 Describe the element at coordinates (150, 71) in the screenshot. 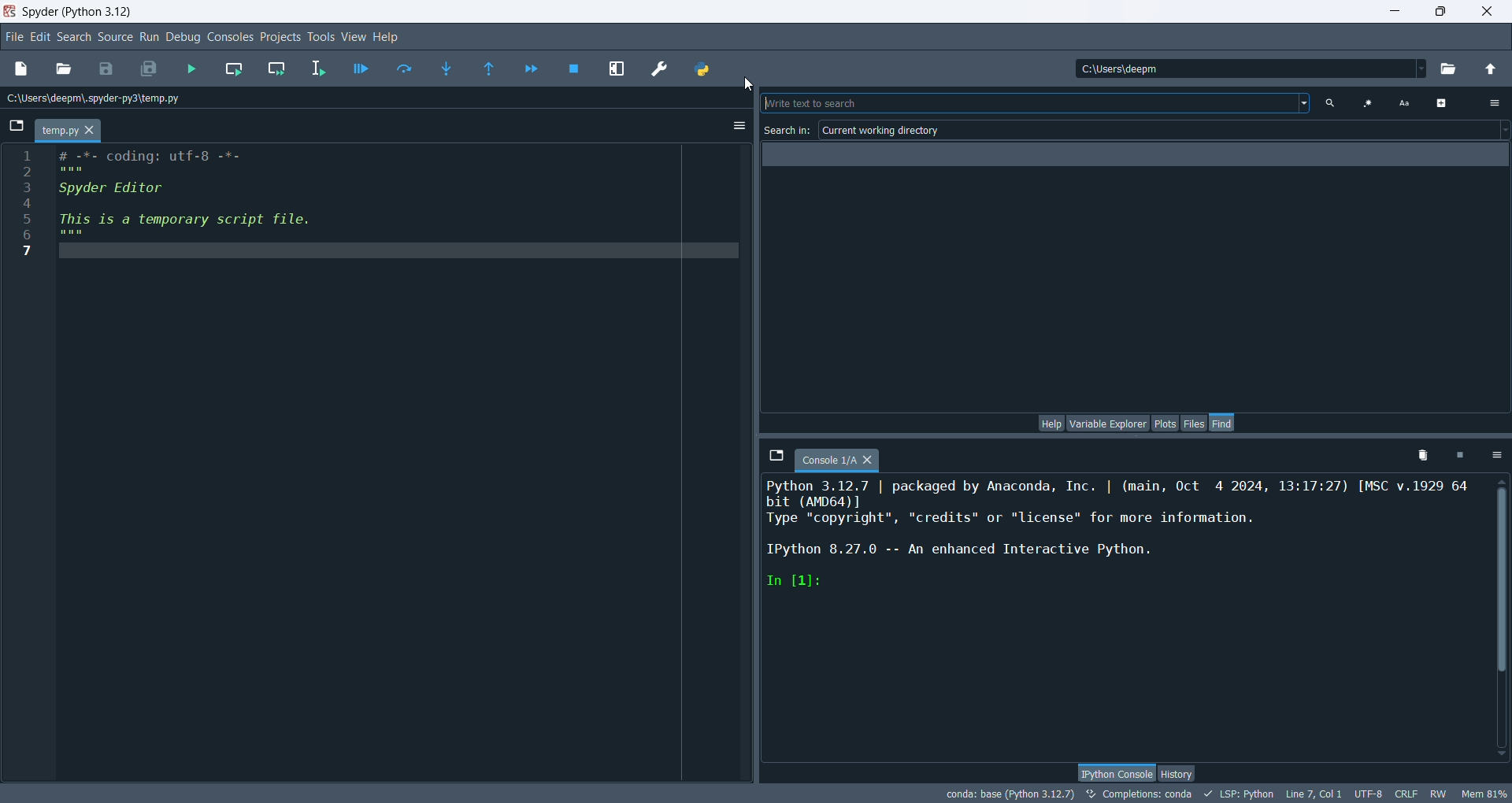

I see `save all files` at that location.